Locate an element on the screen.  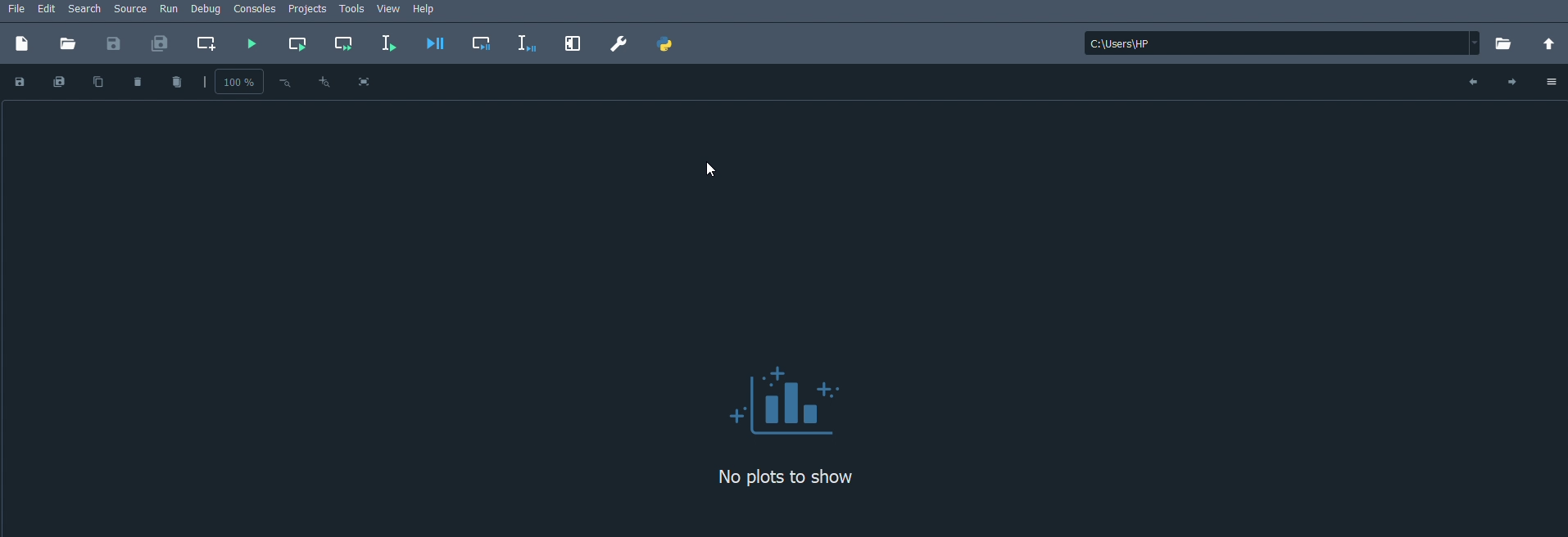
Save all files is located at coordinates (161, 43).